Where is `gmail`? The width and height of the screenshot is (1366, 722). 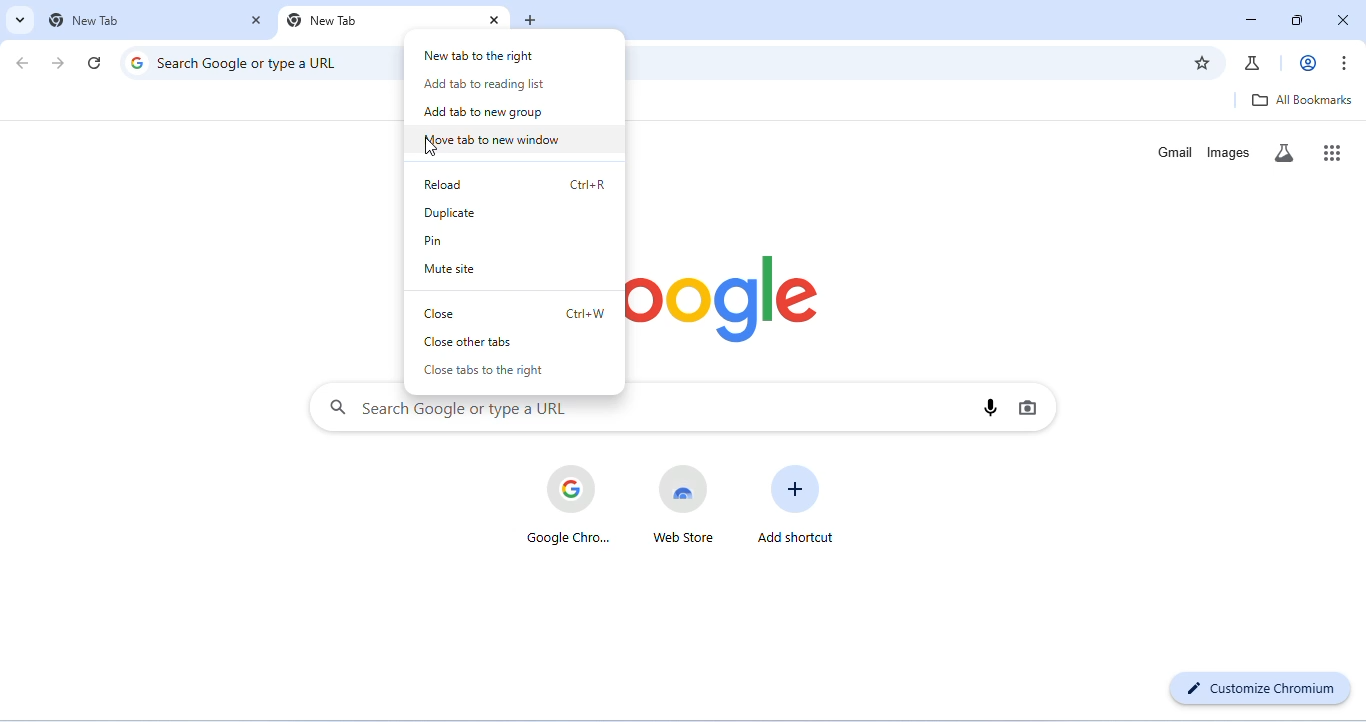
gmail is located at coordinates (1170, 152).